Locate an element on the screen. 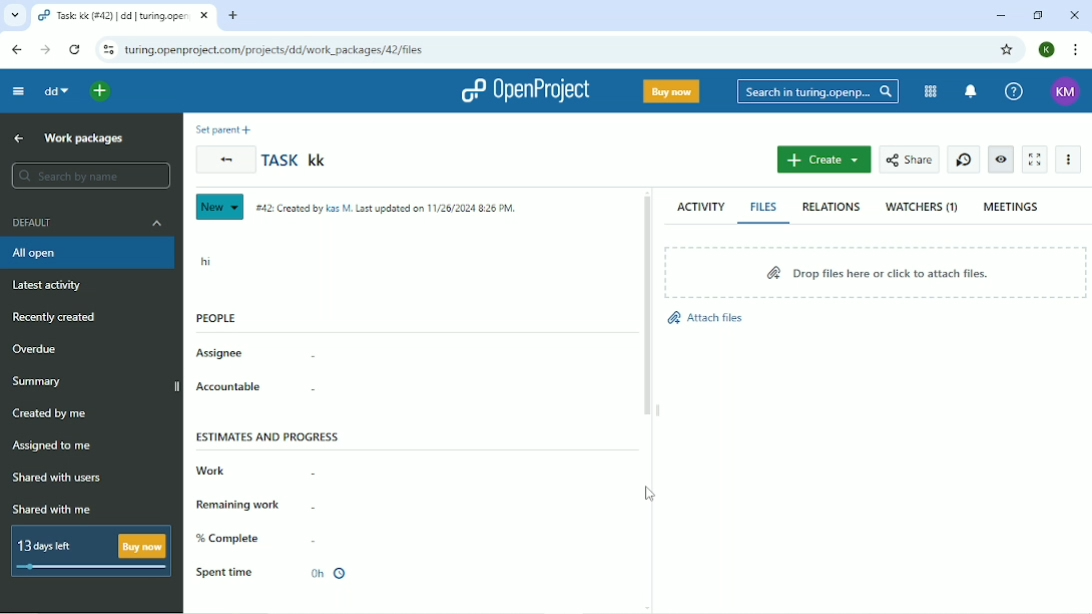  OpenProject is located at coordinates (524, 91).